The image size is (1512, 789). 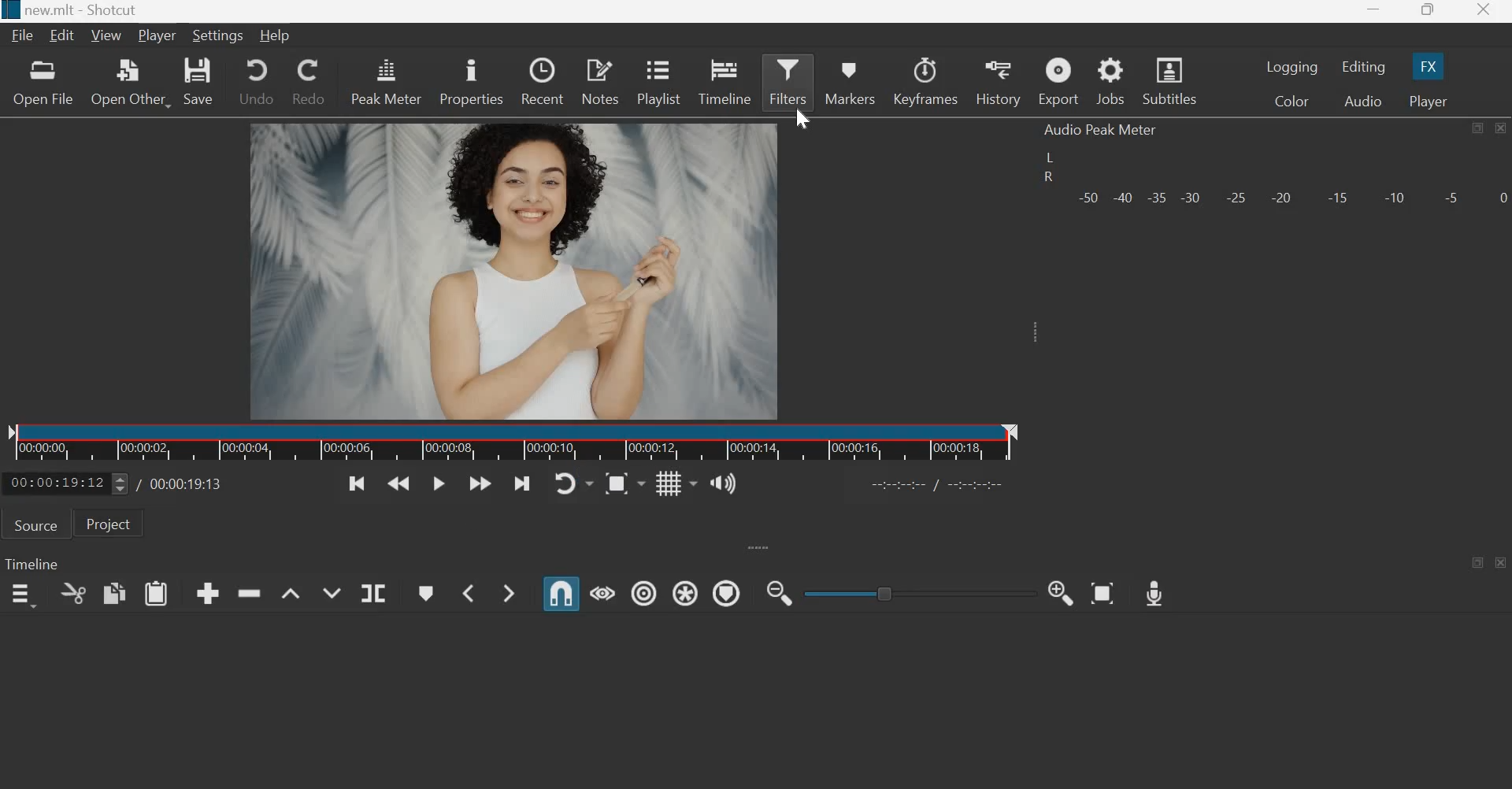 I want to click on Source, so click(x=37, y=525).